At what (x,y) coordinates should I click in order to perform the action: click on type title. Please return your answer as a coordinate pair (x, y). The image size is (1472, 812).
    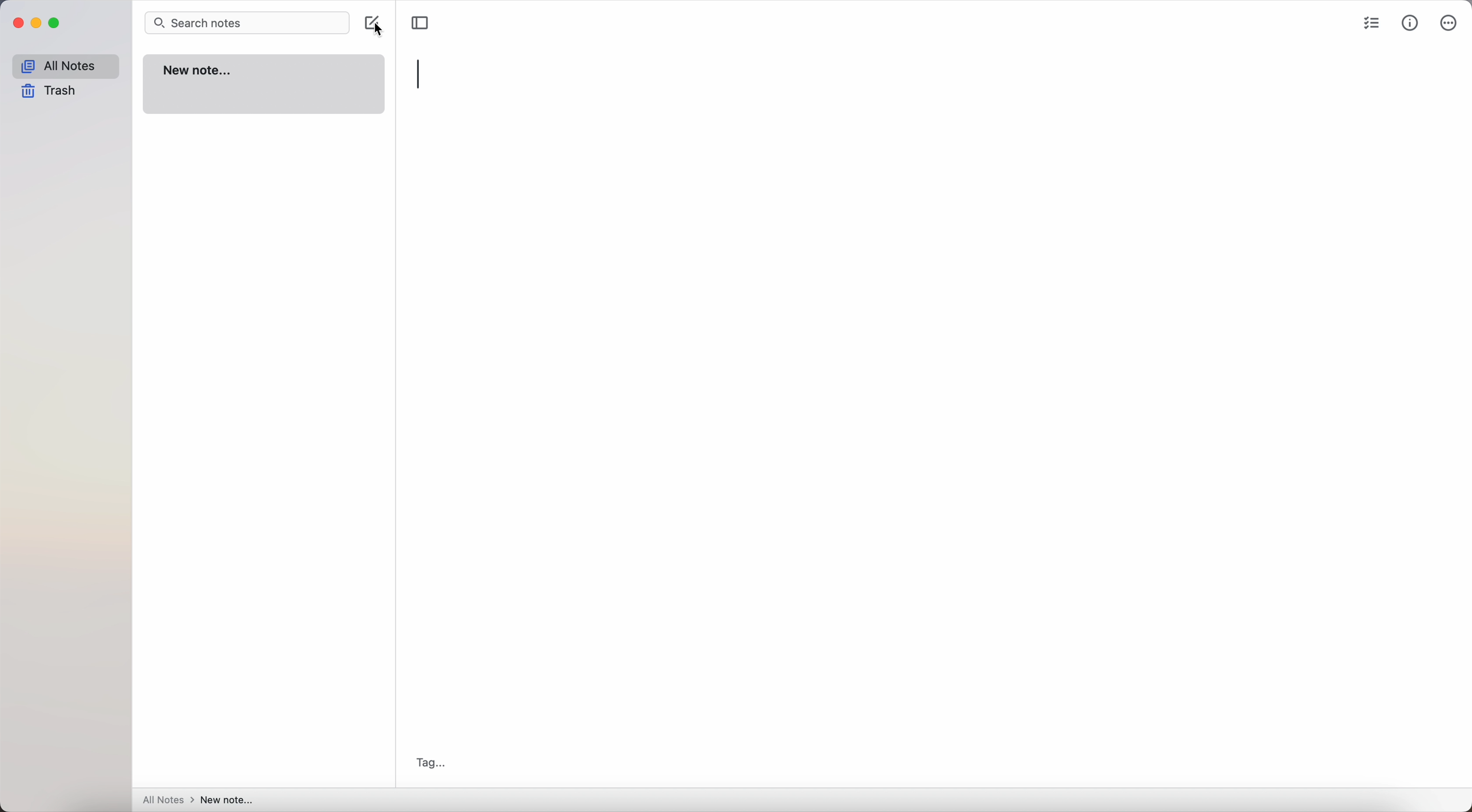
    Looking at the image, I should click on (422, 75).